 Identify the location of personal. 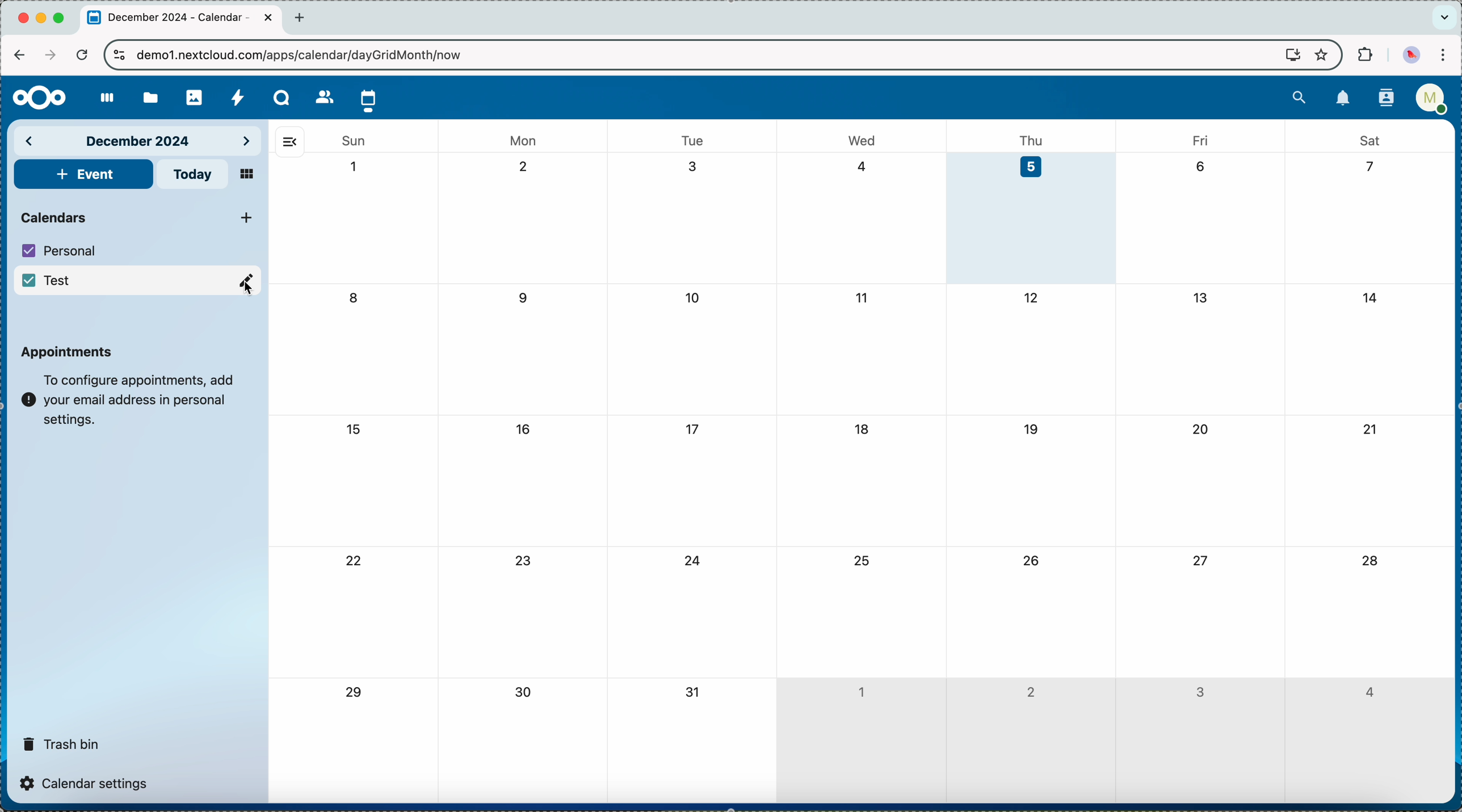
(61, 251).